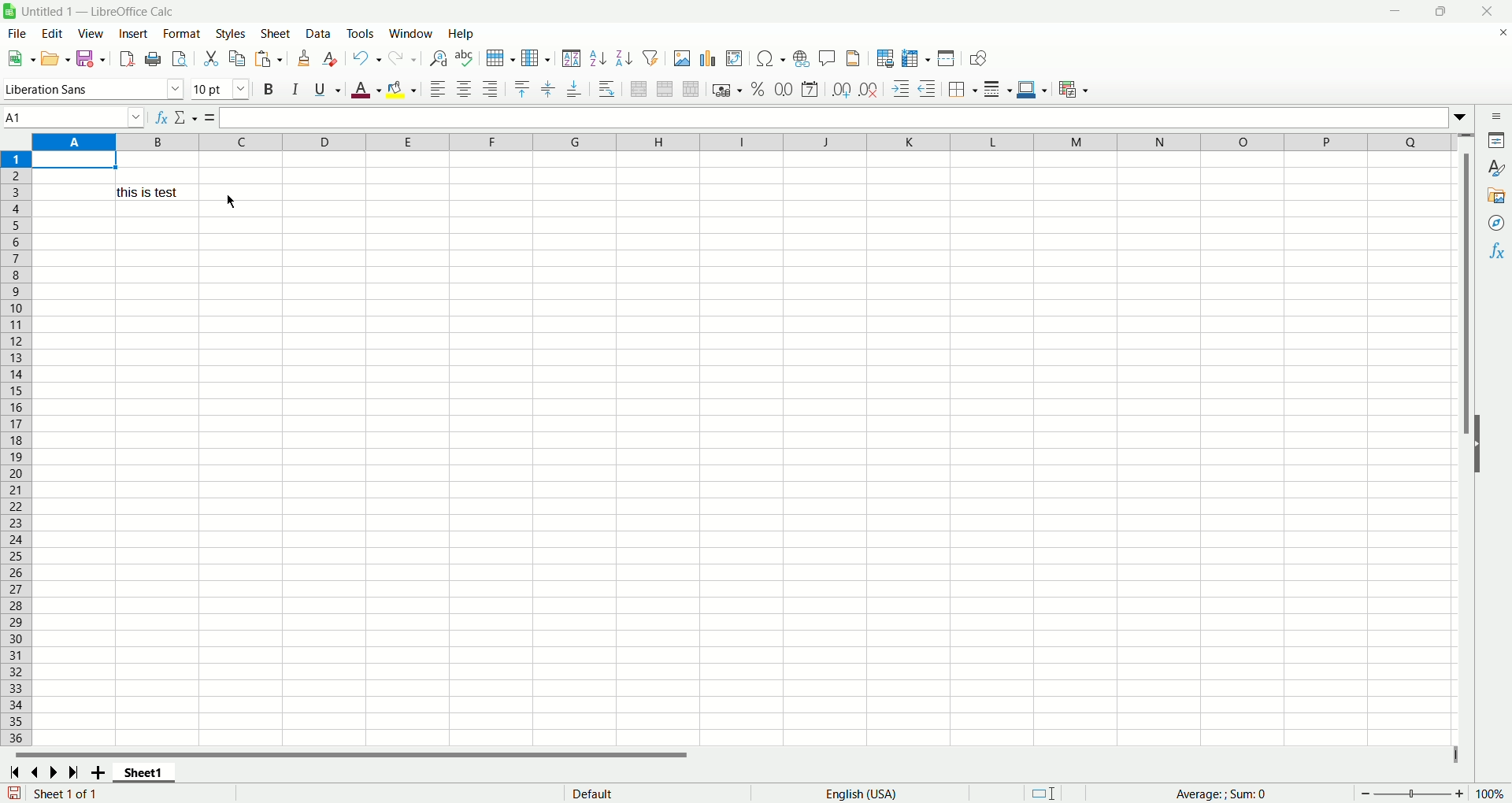 This screenshot has width=1512, height=803. What do you see at coordinates (185, 117) in the screenshot?
I see `select function` at bounding box center [185, 117].